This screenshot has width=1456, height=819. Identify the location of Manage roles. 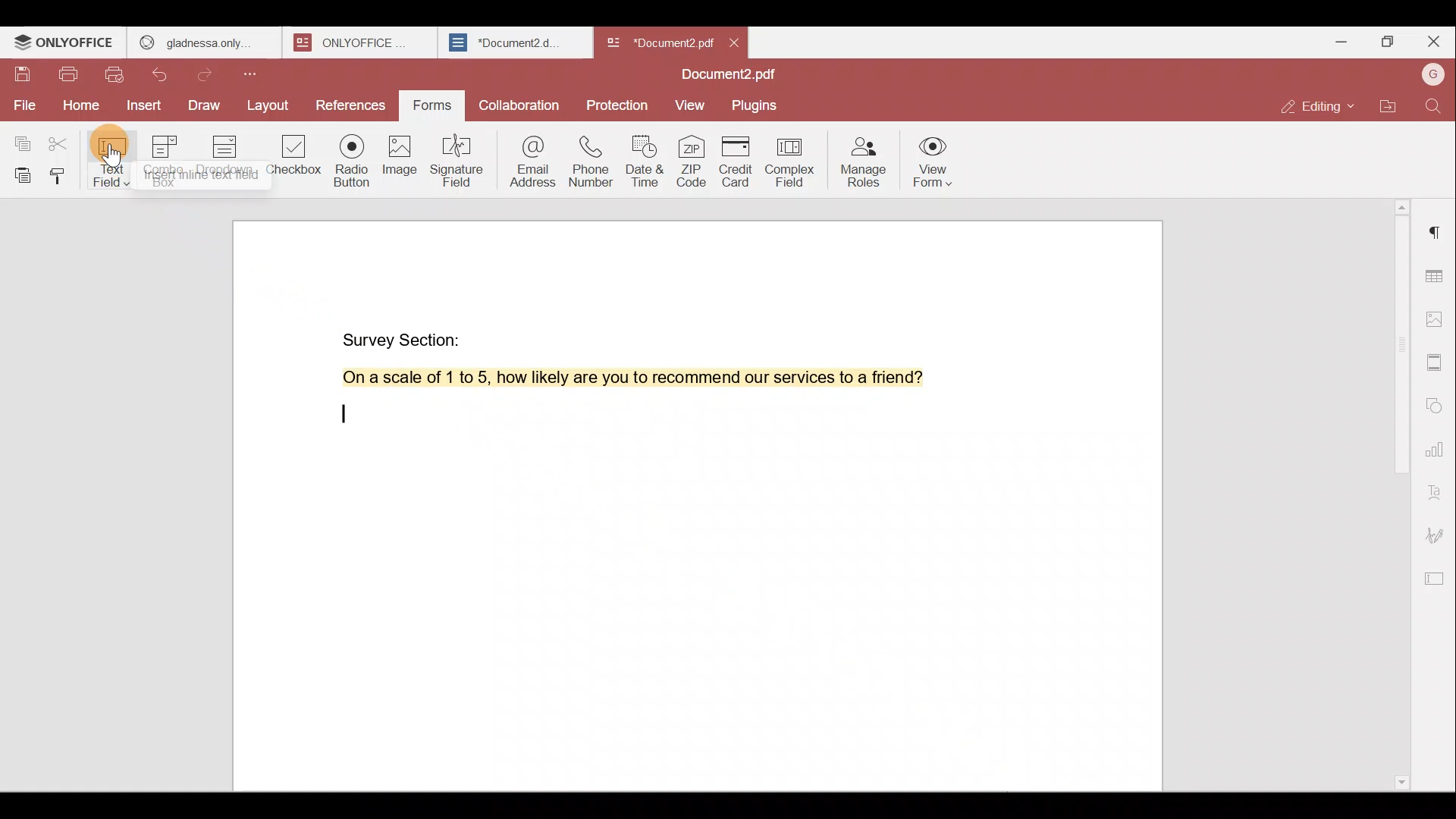
(862, 161).